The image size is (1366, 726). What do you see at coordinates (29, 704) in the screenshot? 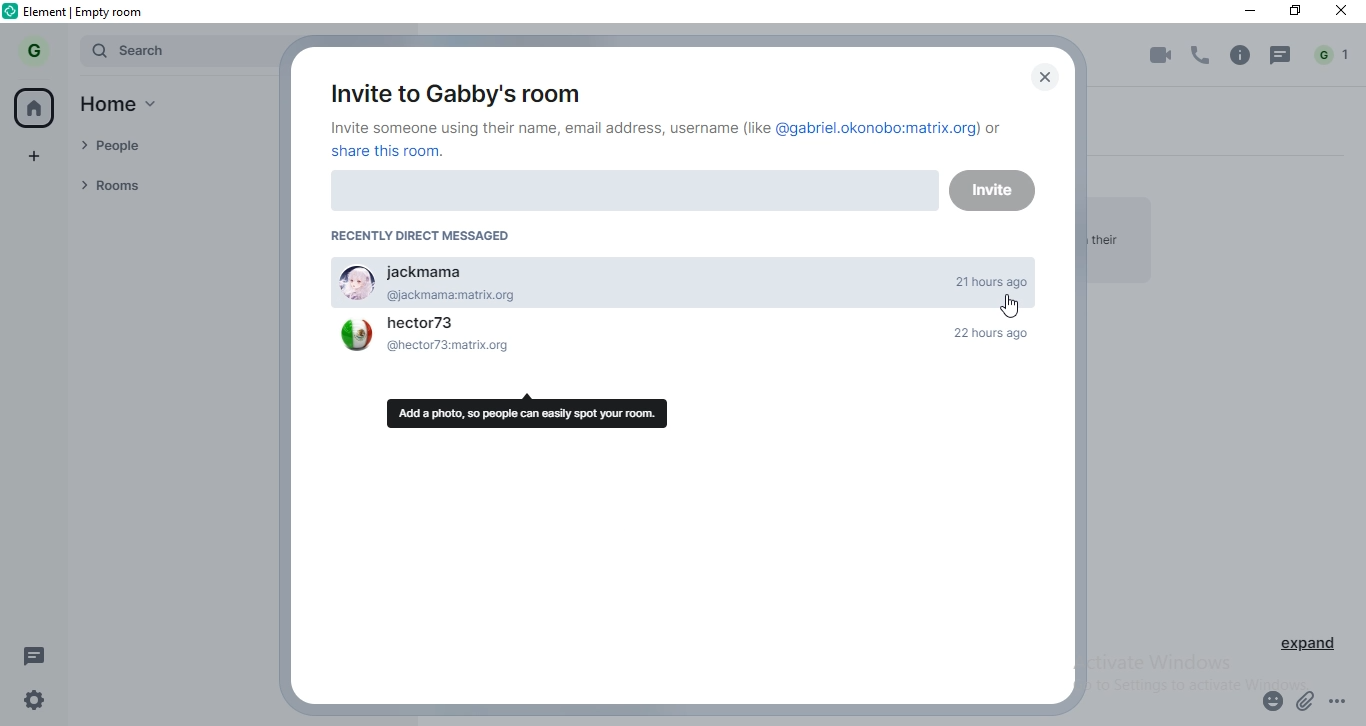
I see `settings` at bounding box center [29, 704].